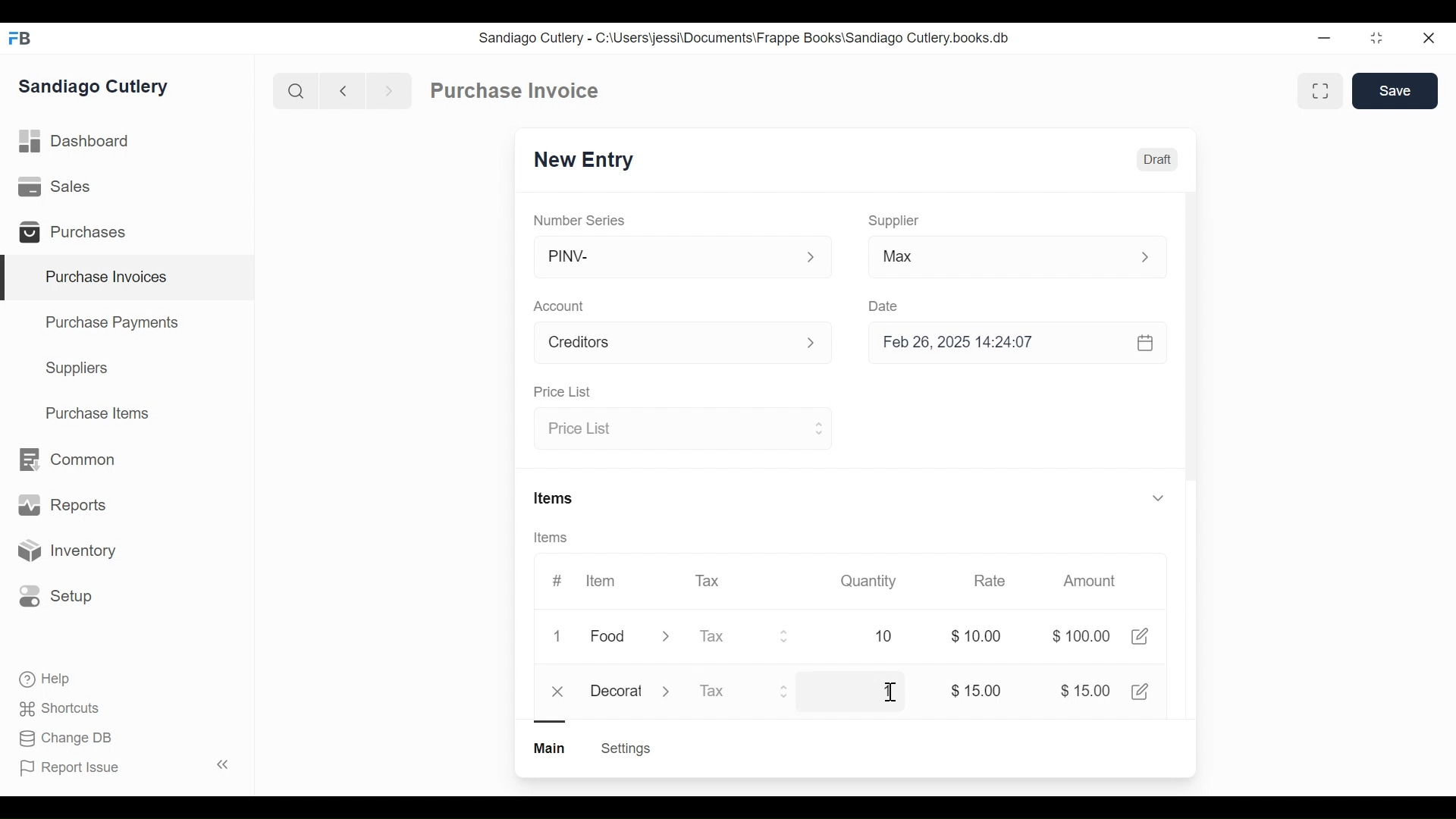 Image resolution: width=1456 pixels, height=819 pixels. What do you see at coordinates (588, 161) in the screenshot?
I see `New Entry` at bounding box center [588, 161].